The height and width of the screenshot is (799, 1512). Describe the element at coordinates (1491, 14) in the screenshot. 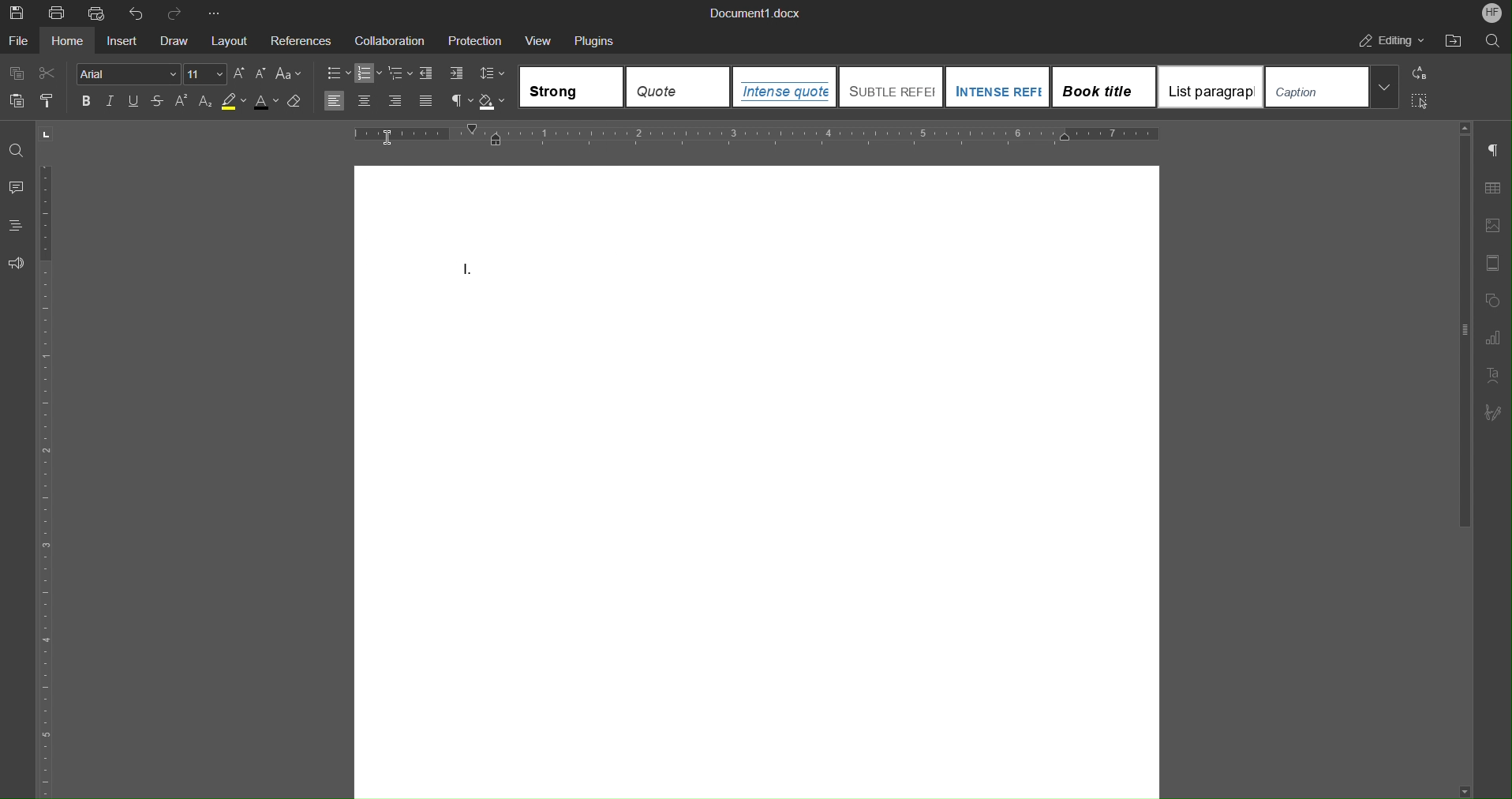

I see `Account ` at that location.